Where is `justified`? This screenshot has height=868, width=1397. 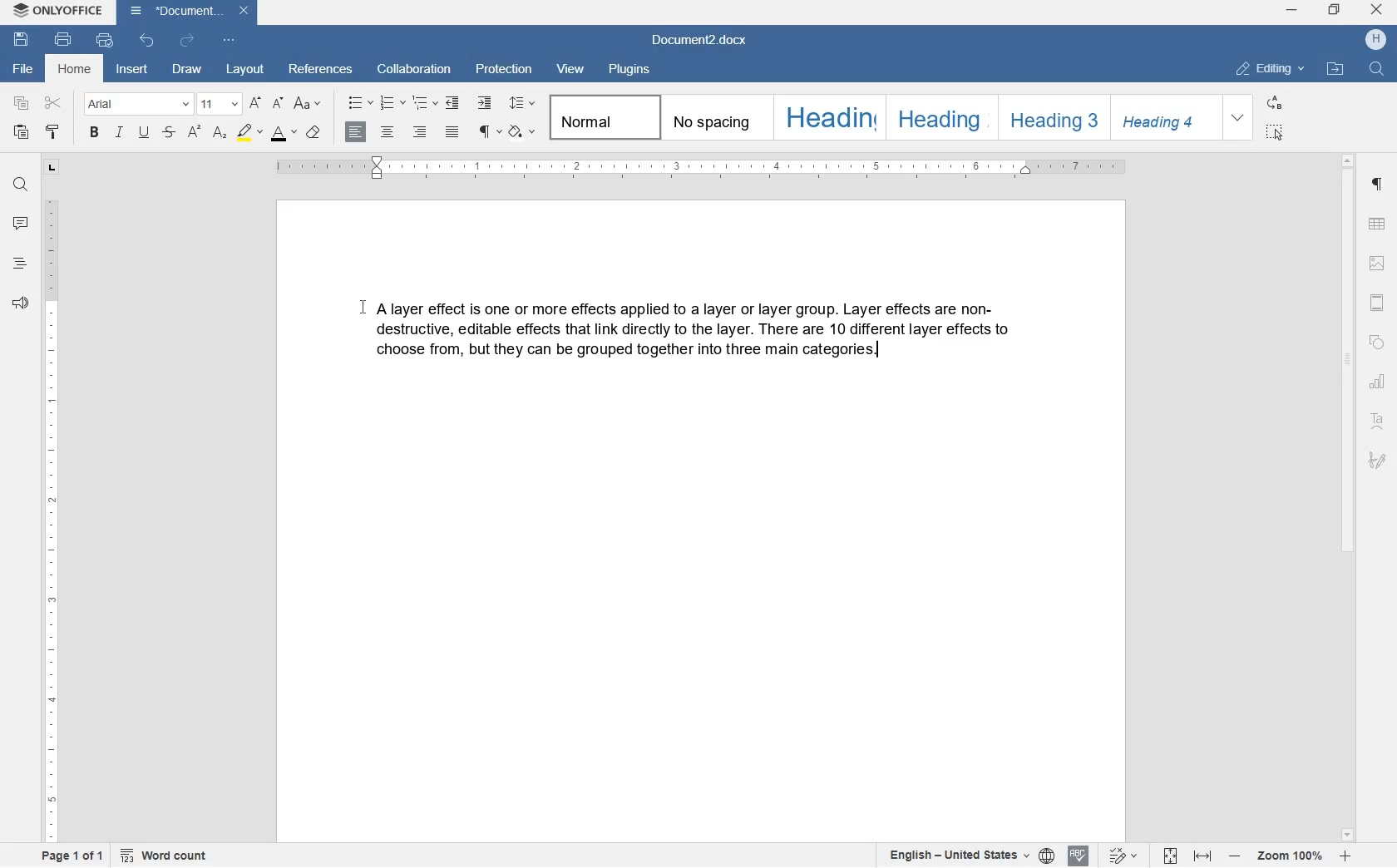 justified is located at coordinates (454, 132).